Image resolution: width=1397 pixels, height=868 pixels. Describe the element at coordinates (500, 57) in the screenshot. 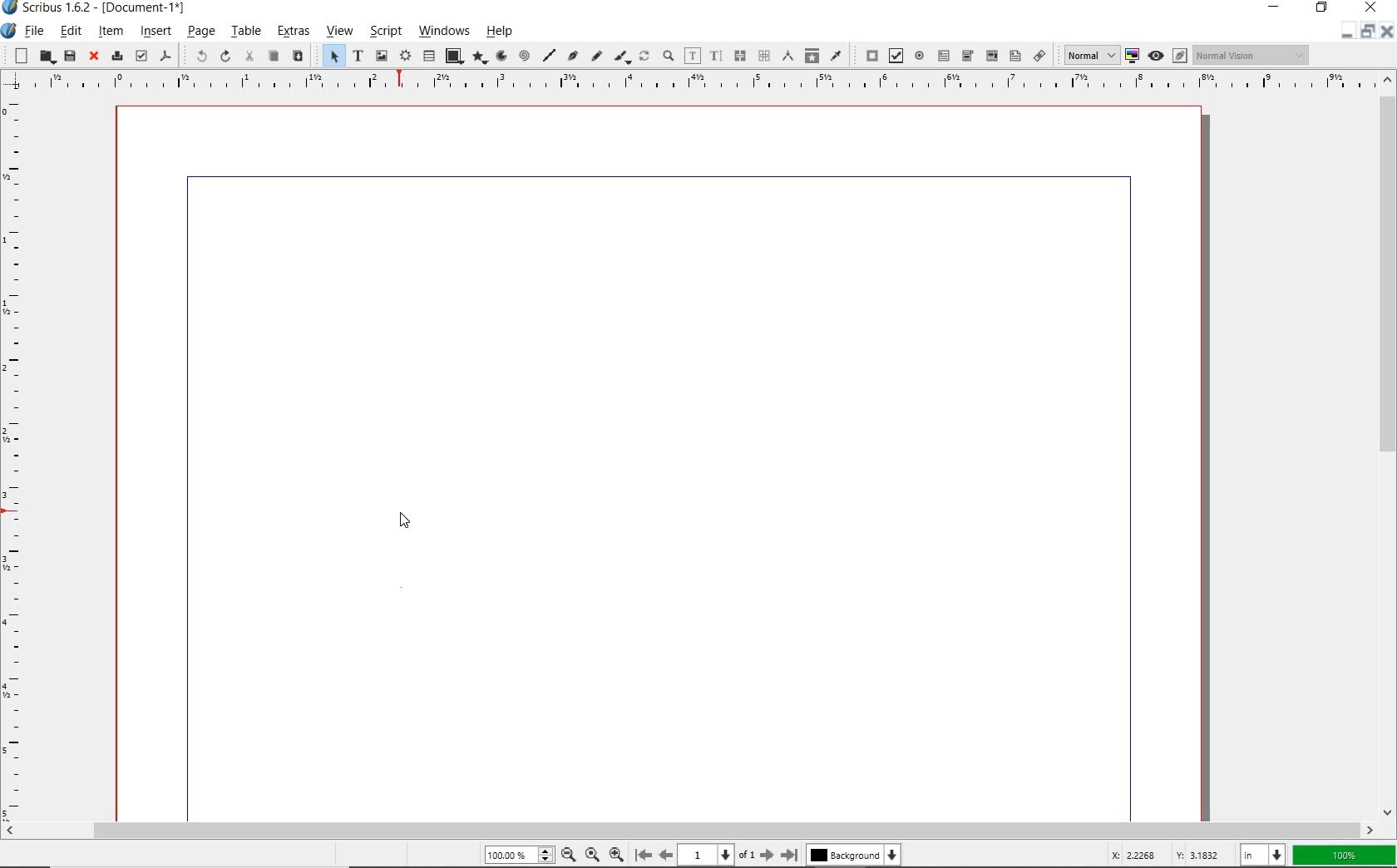

I see `arc` at that location.